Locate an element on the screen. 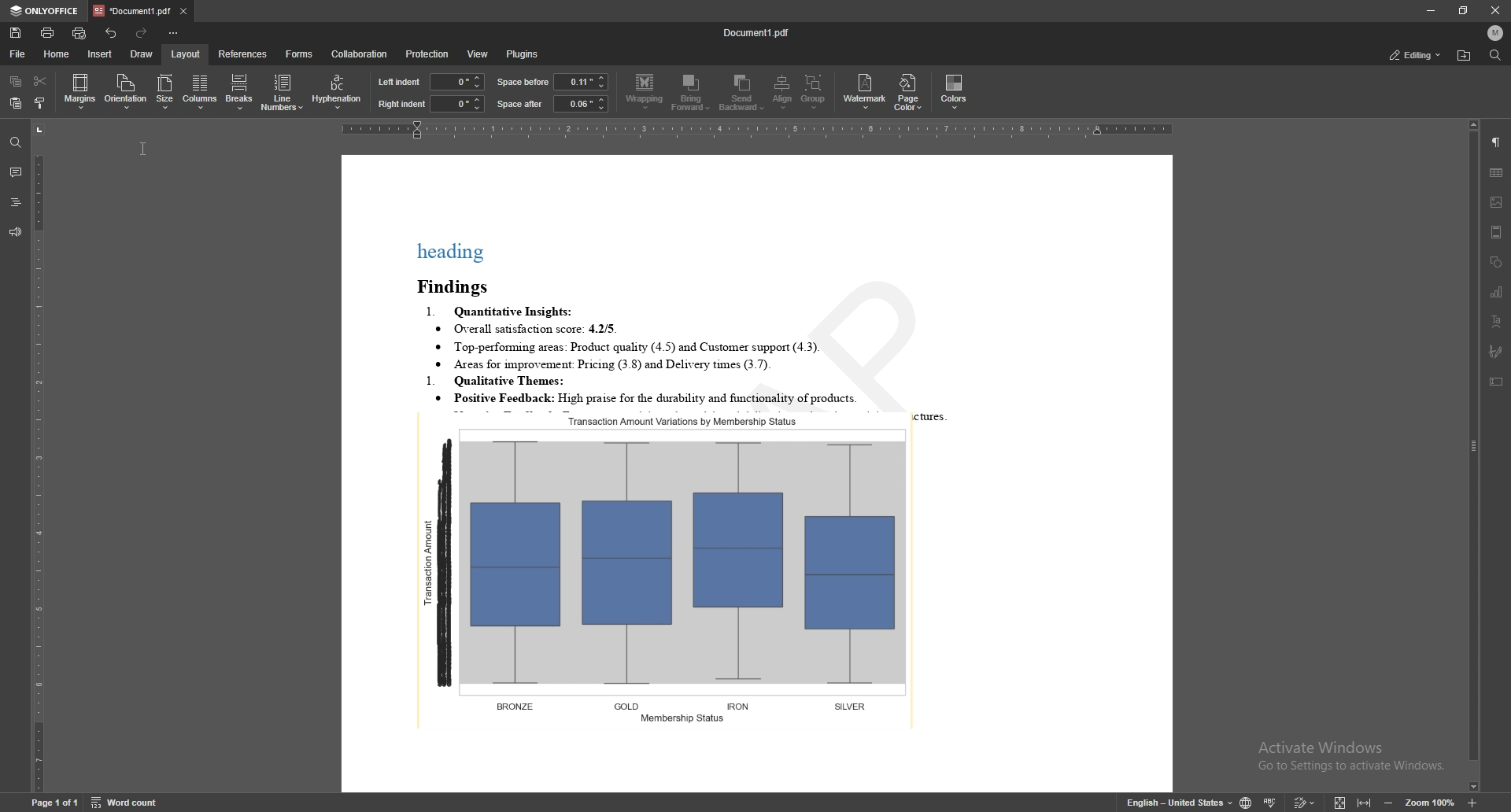  chart is located at coordinates (1497, 292).